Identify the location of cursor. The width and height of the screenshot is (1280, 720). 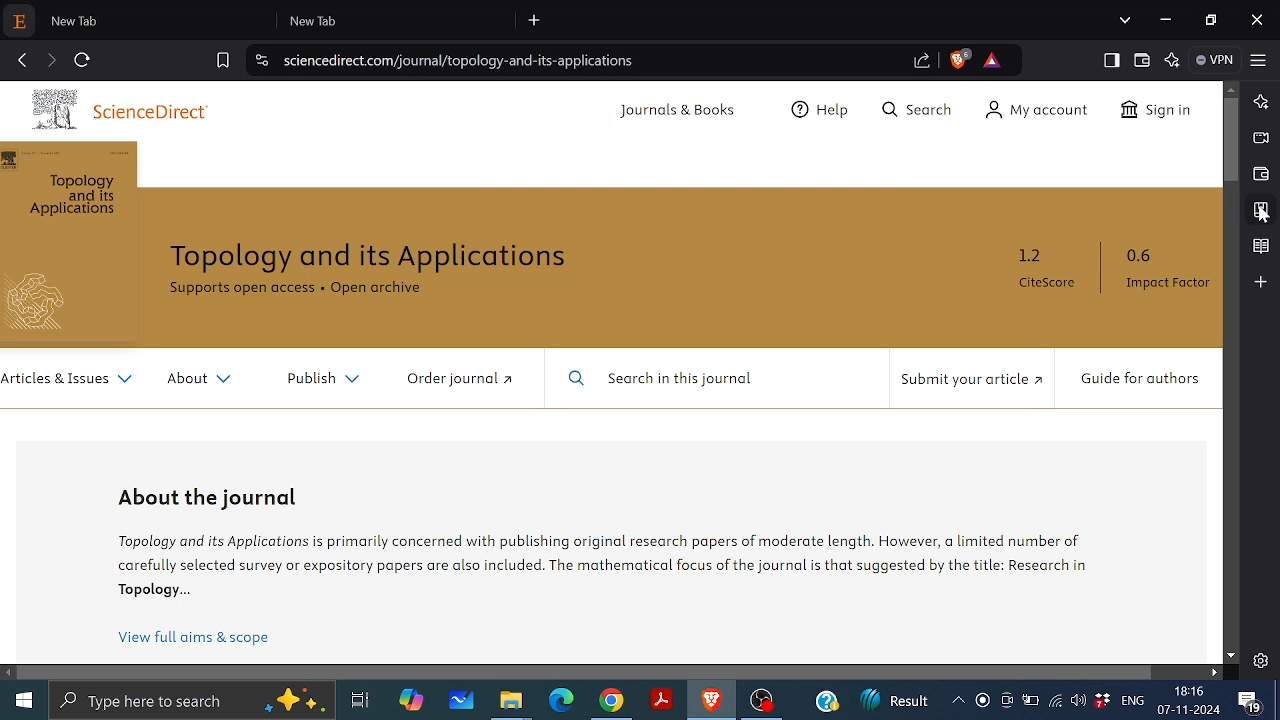
(1259, 218).